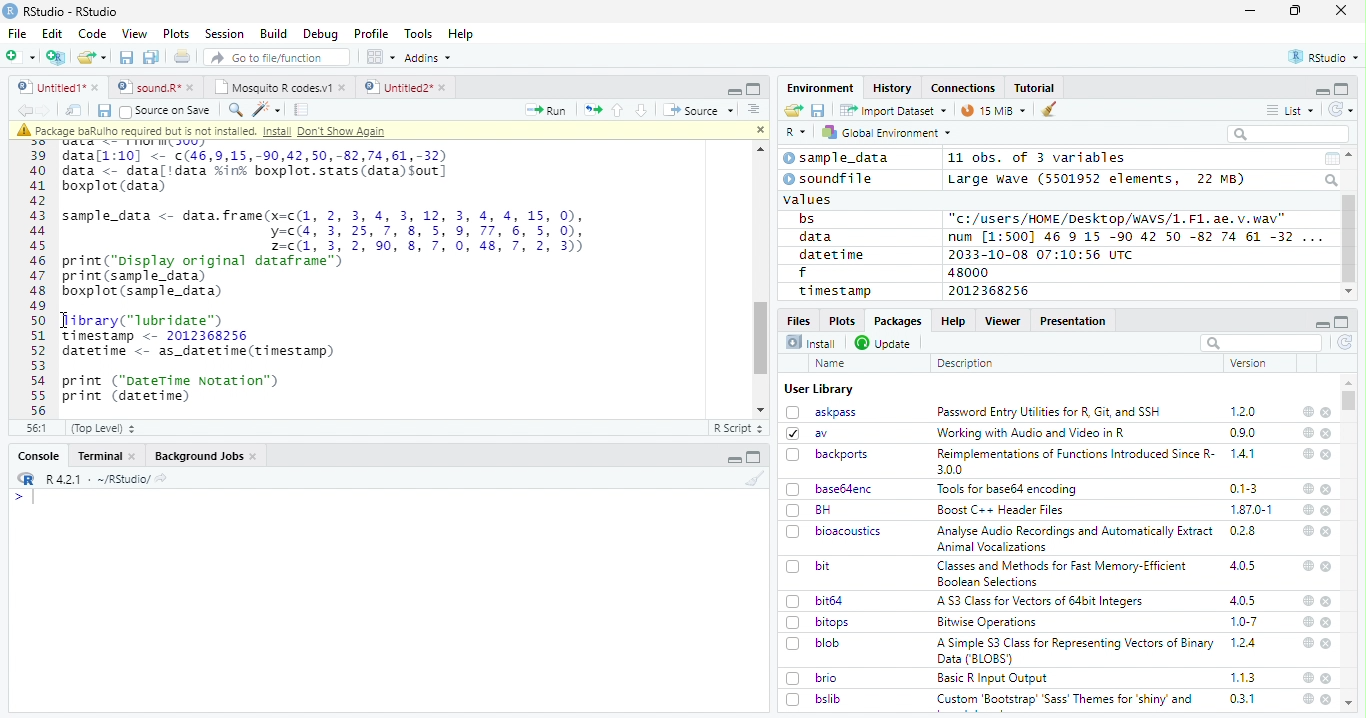 The image size is (1366, 718). I want to click on maximize, so click(1295, 11).